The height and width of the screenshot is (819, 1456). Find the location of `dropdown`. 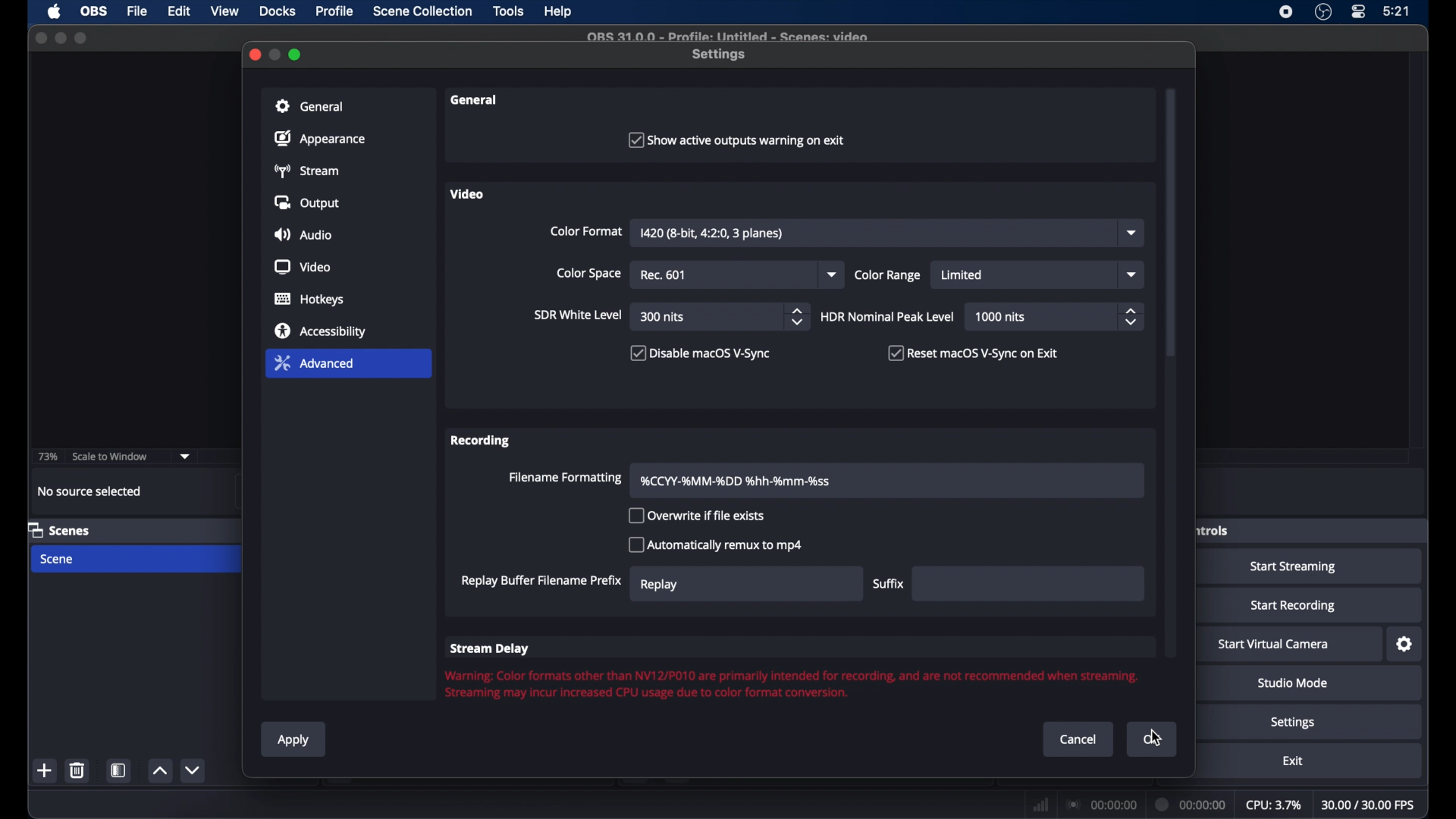

dropdown is located at coordinates (1131, 275).